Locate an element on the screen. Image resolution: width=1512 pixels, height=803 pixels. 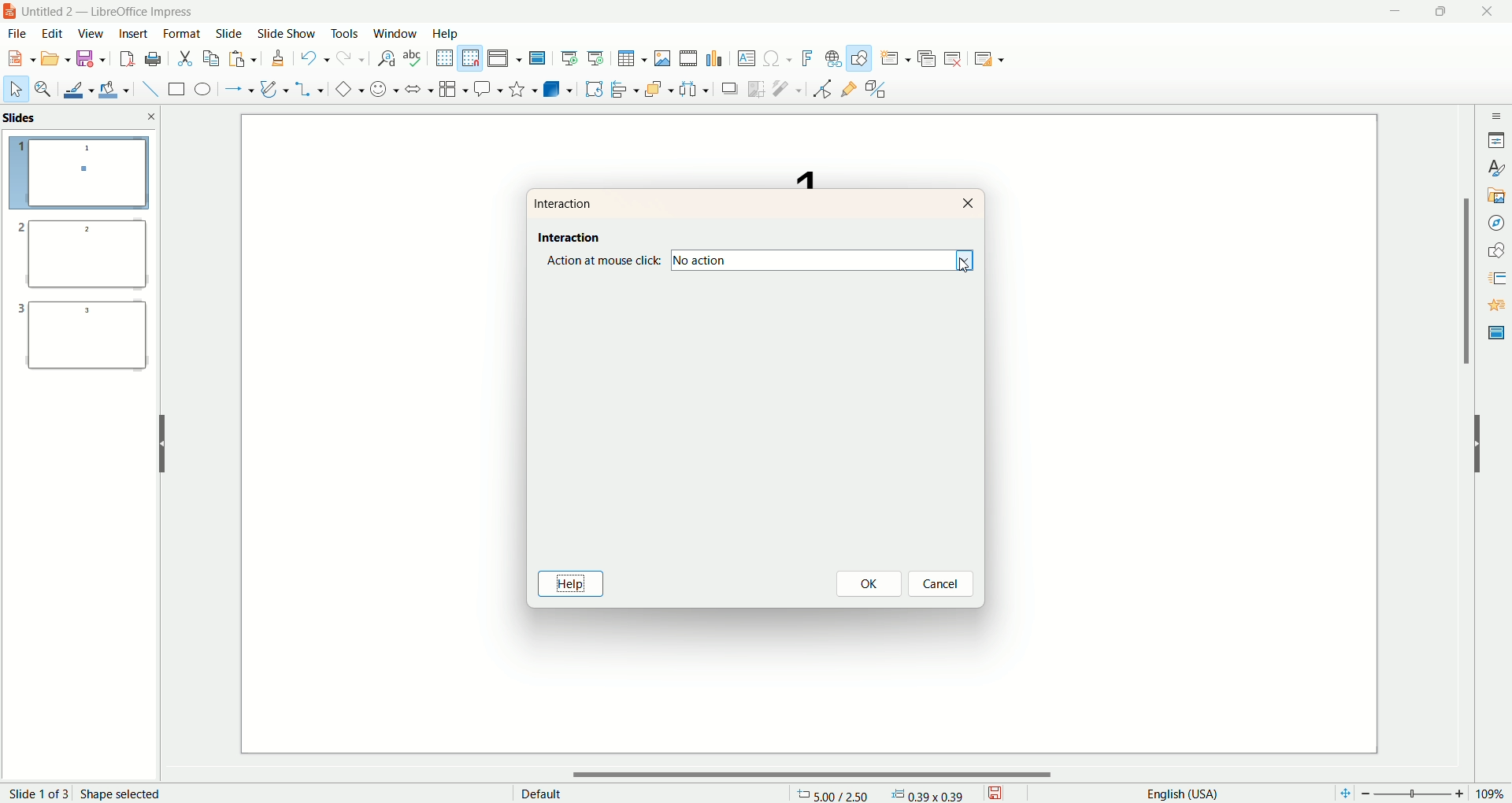
fontwork text is located at coordinates (805, 57).